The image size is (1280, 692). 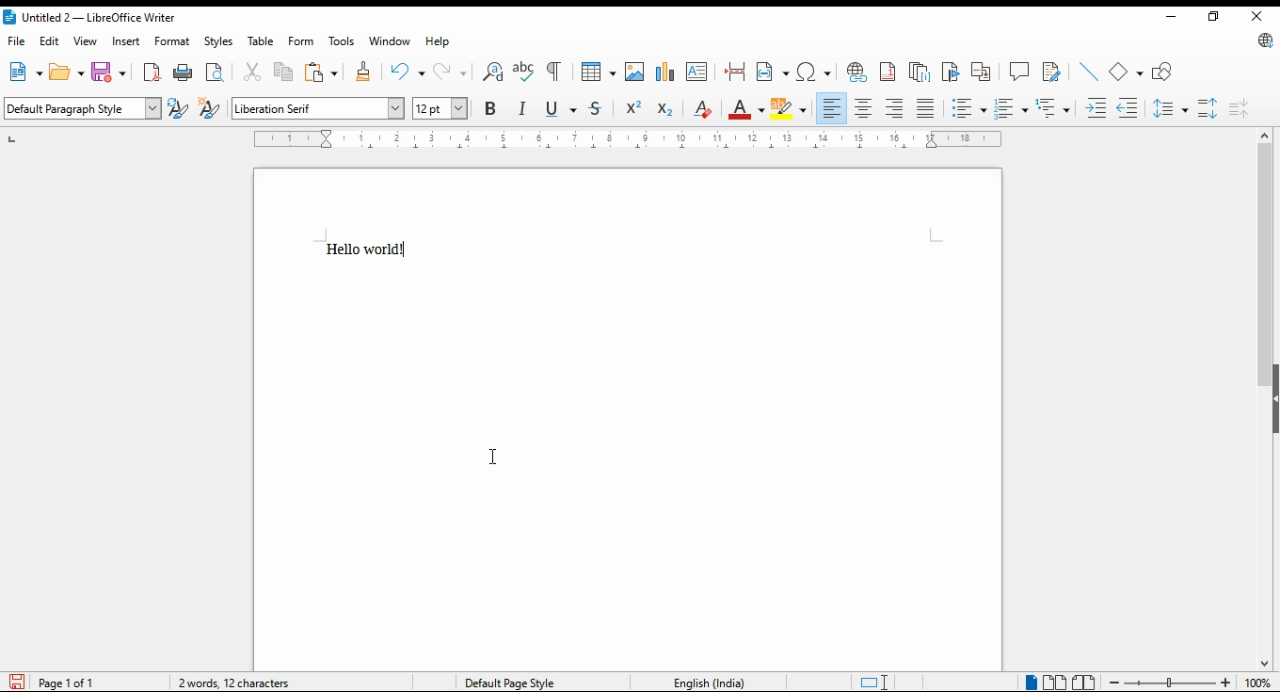 What do you see at coordinates (57, 681) in the screenshot?
I see `page information` at bounding box center [57, 681].